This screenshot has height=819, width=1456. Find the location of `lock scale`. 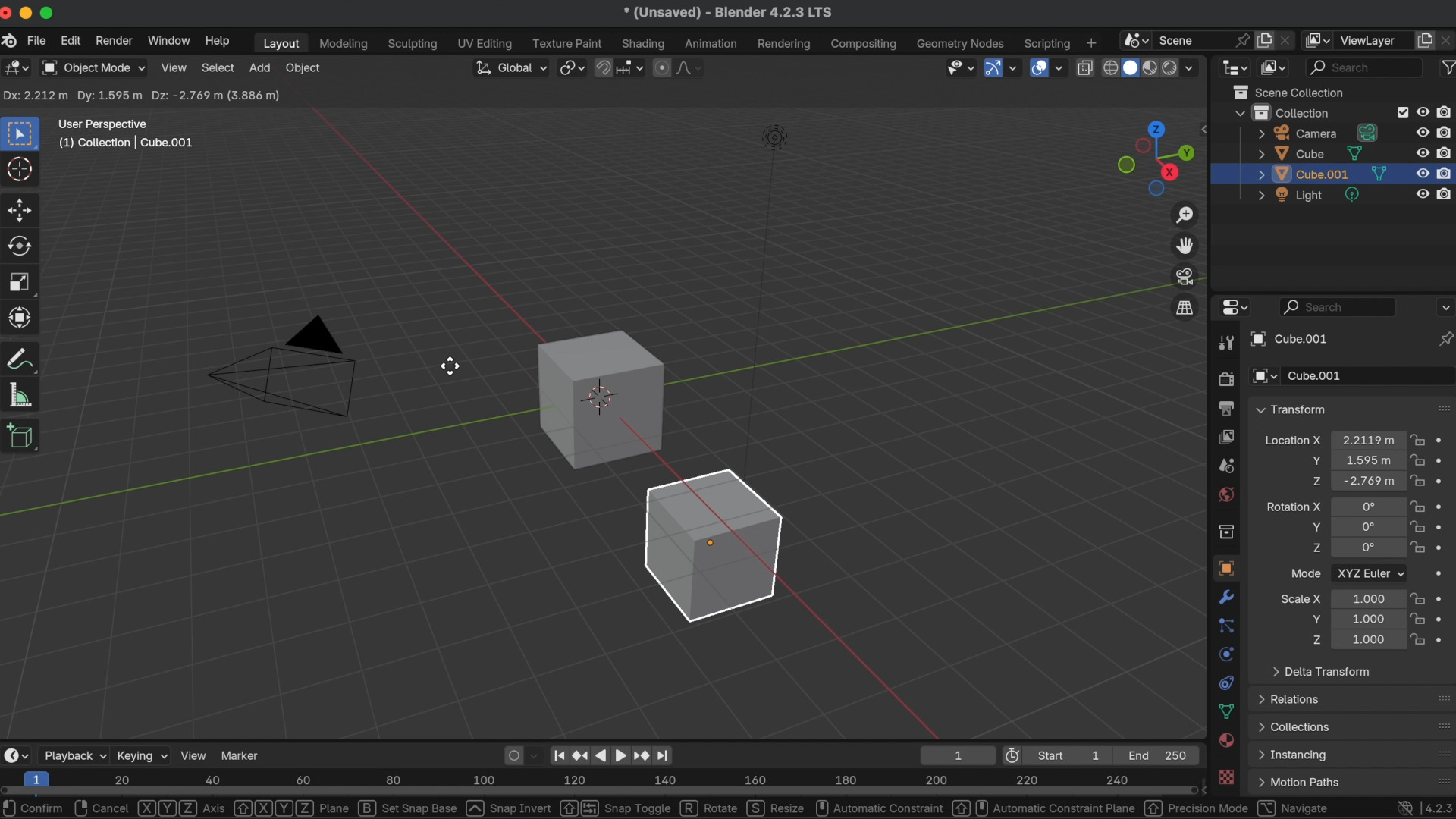

lock scale is located at coordinates (1417, 619).